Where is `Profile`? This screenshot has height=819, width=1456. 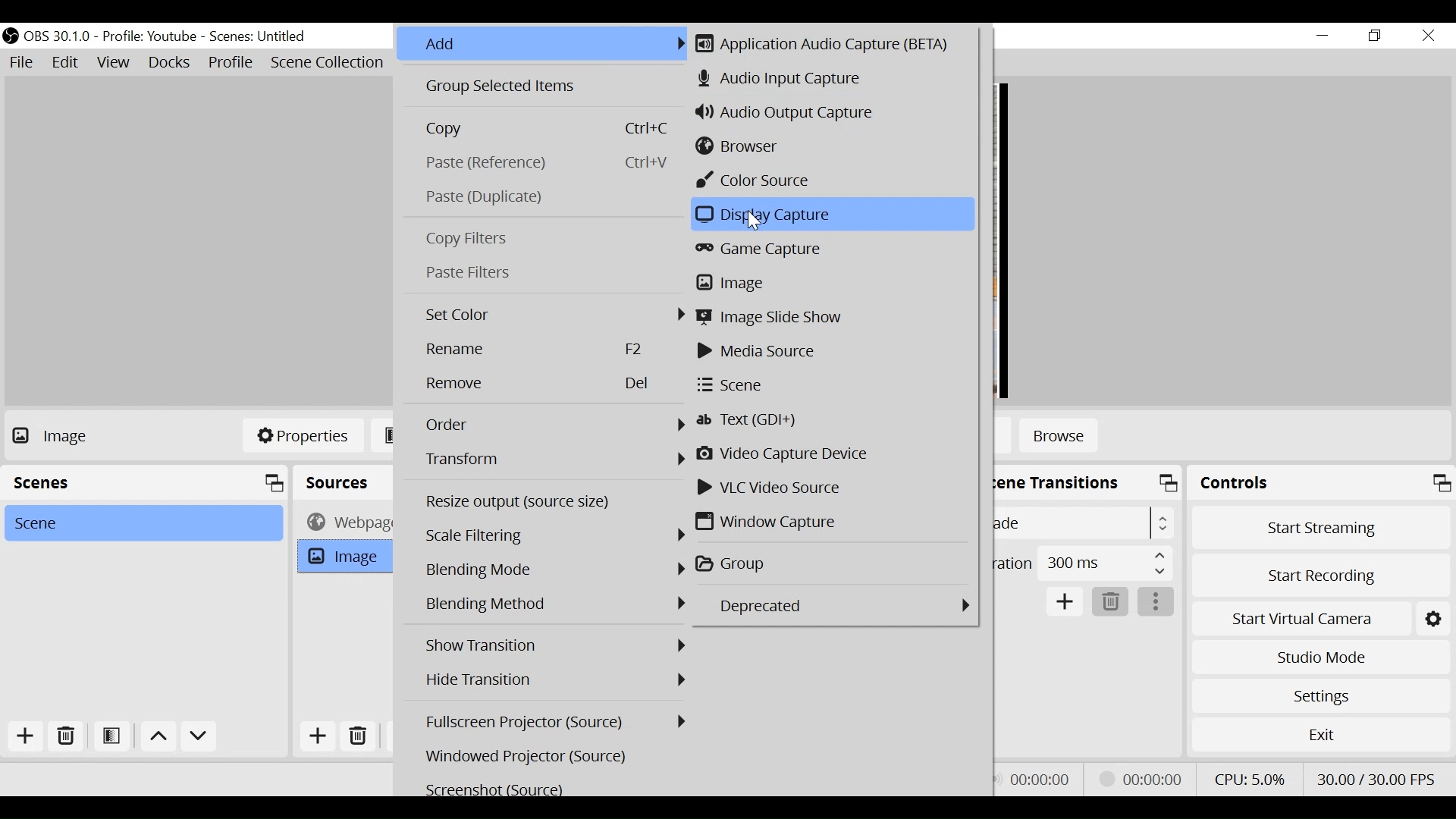
Profile is located at coordinates (231, 64).